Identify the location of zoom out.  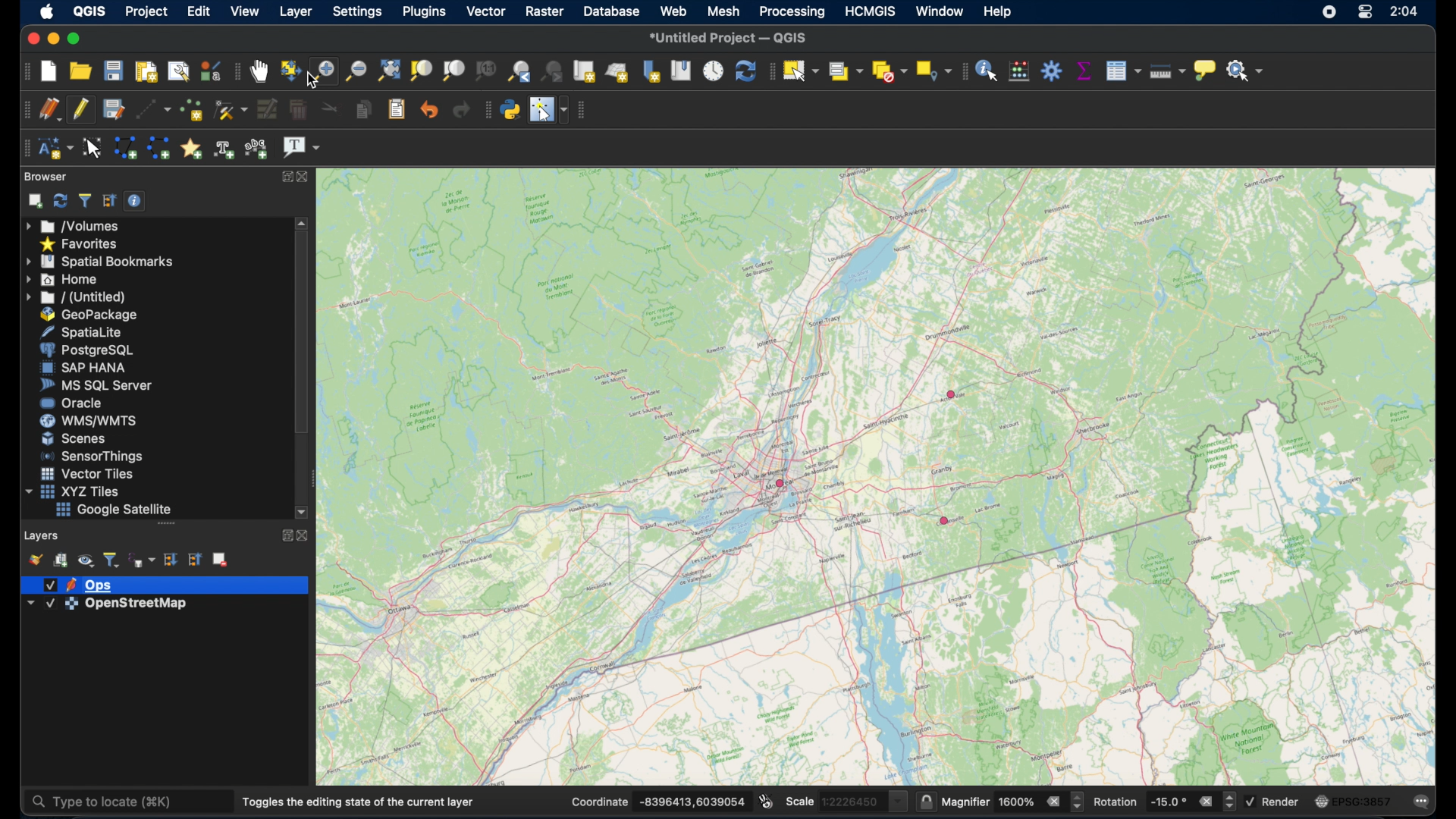
(354, 72).